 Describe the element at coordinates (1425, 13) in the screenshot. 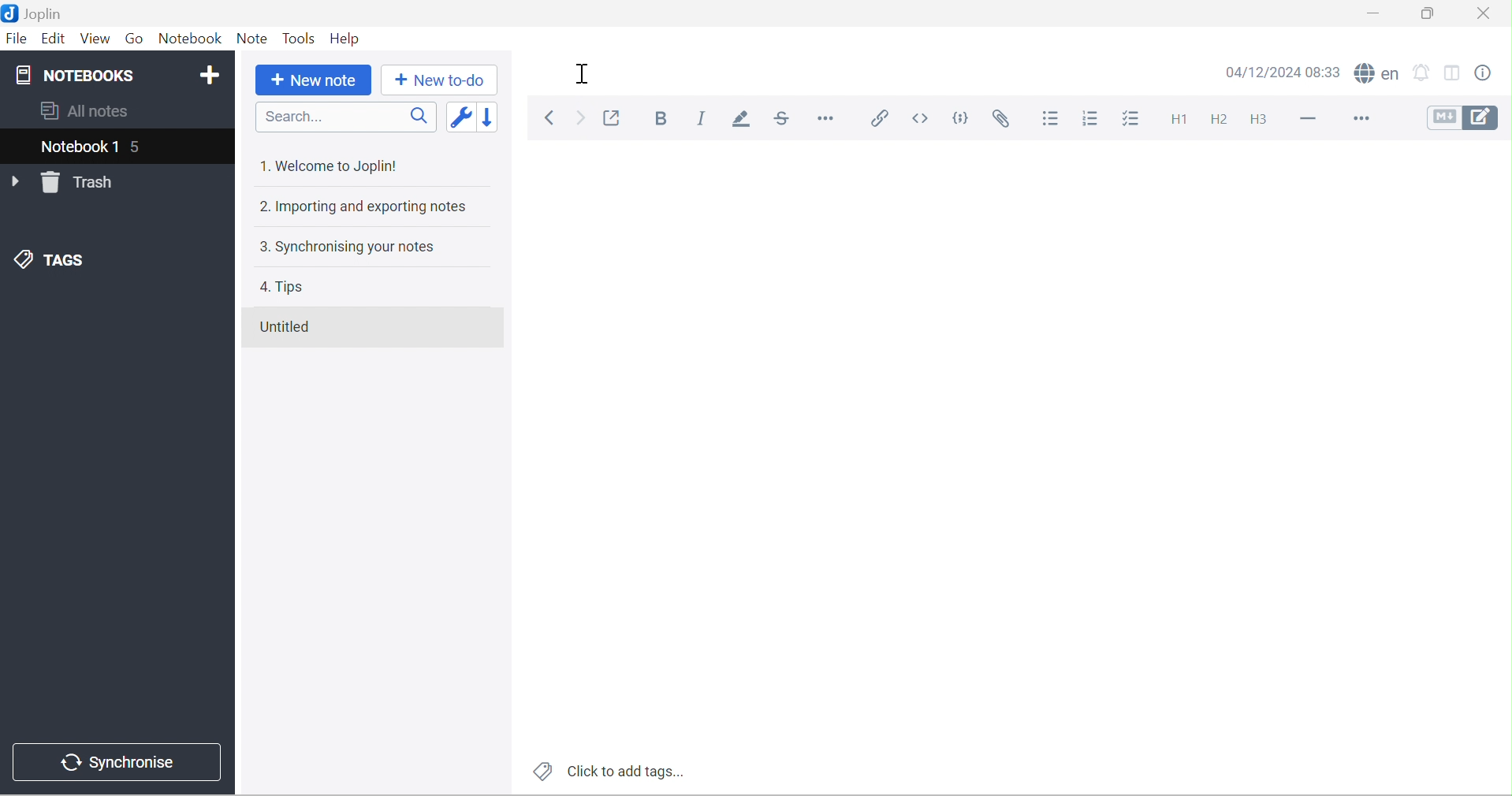

I see `Restore Down` at that location.